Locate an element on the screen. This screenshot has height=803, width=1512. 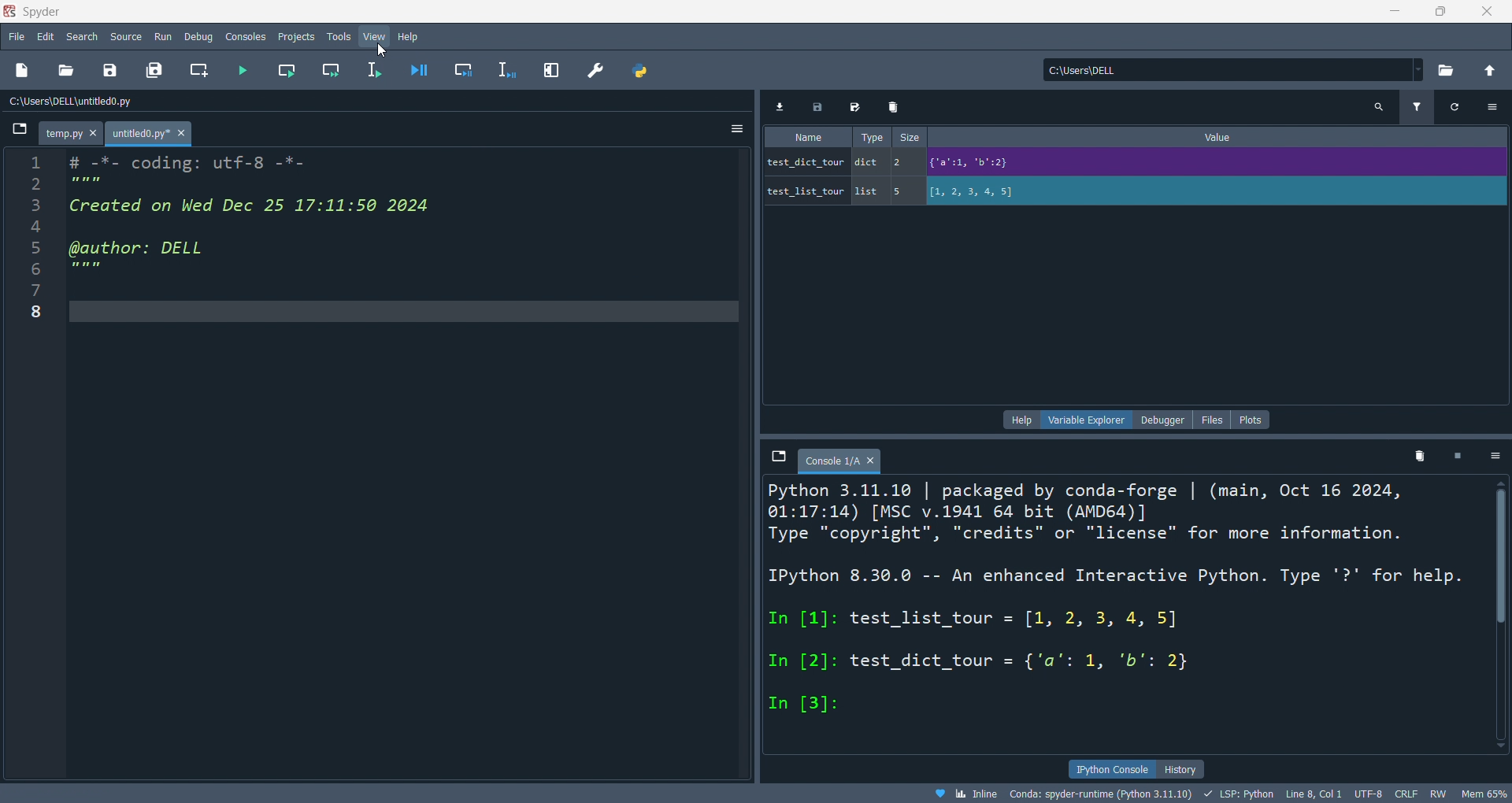
consolesn is located at coordinates (243, 37).